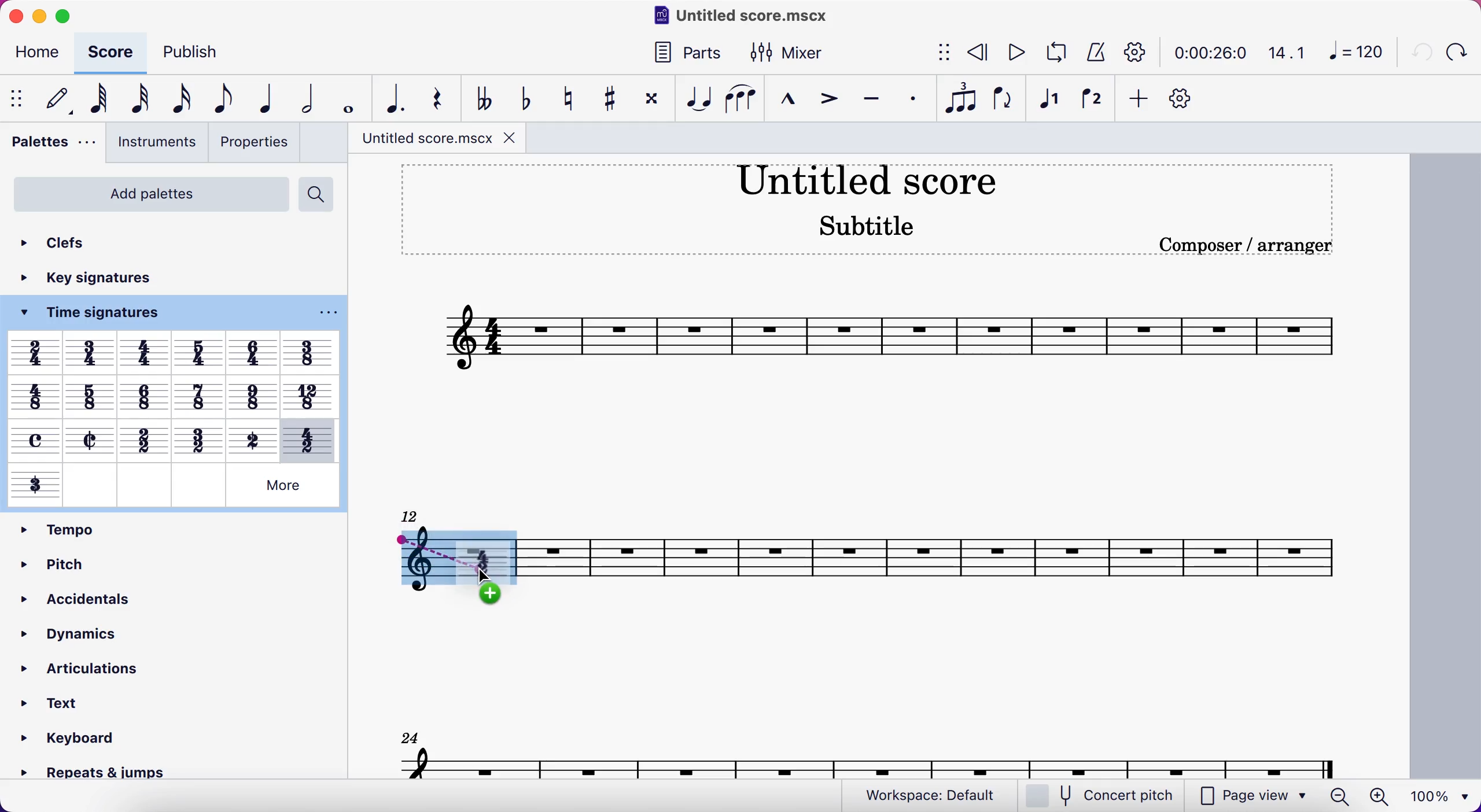 The width and height of the screenshot is (1481, 812). I want to click on zoom in, so click(1385, 796).